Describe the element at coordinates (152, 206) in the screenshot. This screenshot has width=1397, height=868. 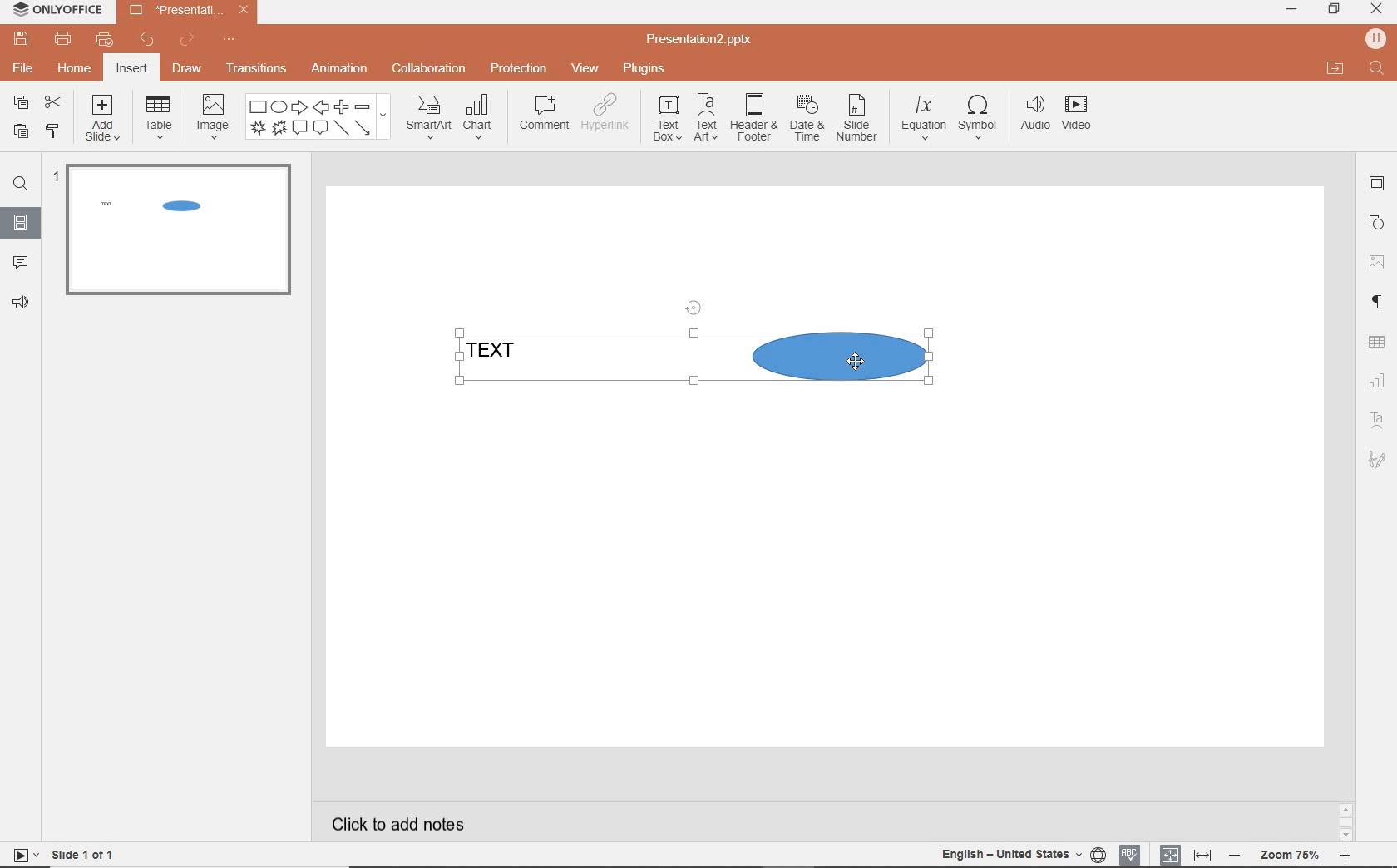
I see `TEXT & SHAPE GROUPED` at that location.